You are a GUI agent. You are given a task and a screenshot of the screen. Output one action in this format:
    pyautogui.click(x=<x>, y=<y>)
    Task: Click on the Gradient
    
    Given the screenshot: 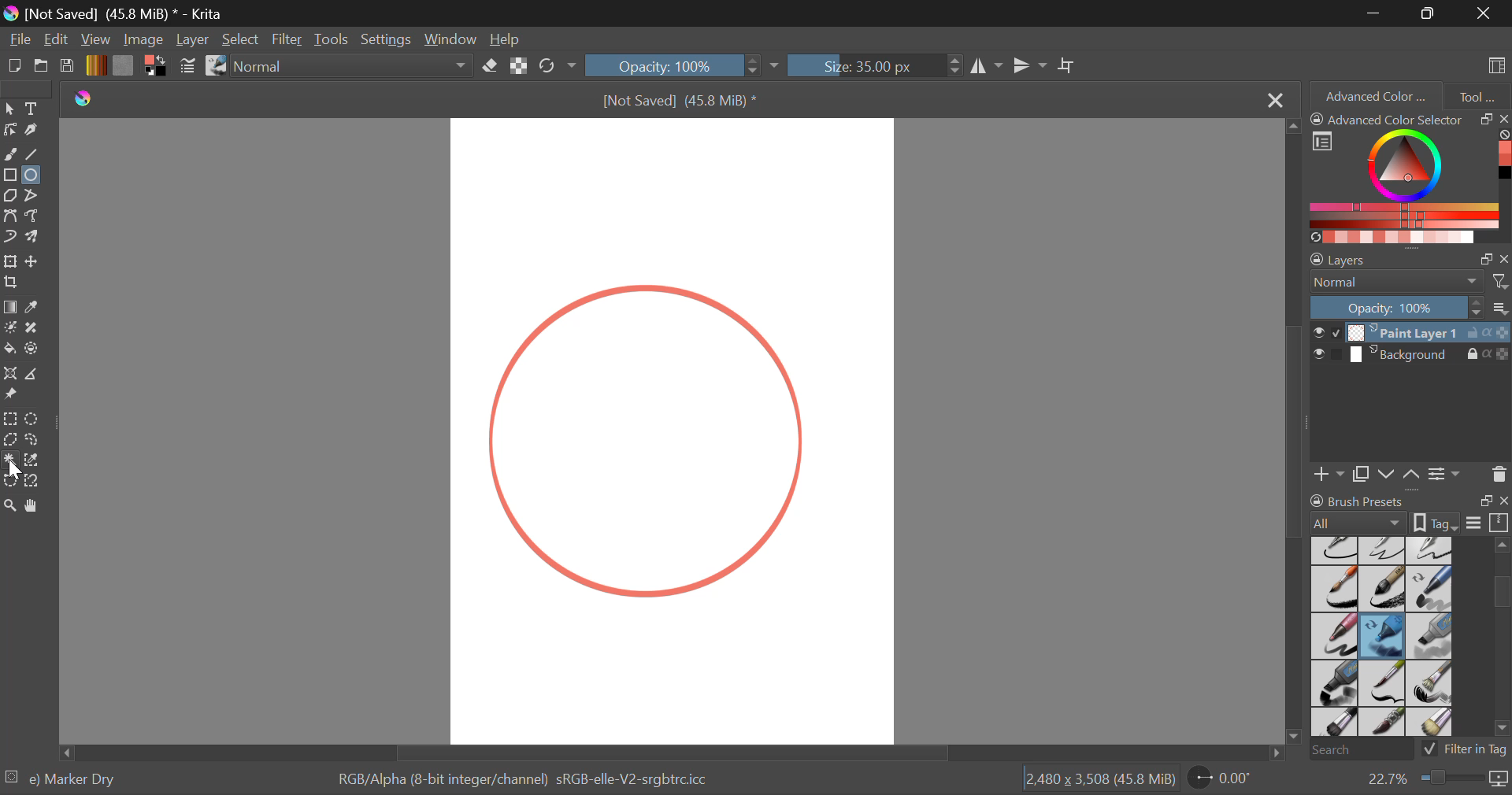 What is the action you would take?
    pyautogui.click(x=95, y=65)
    